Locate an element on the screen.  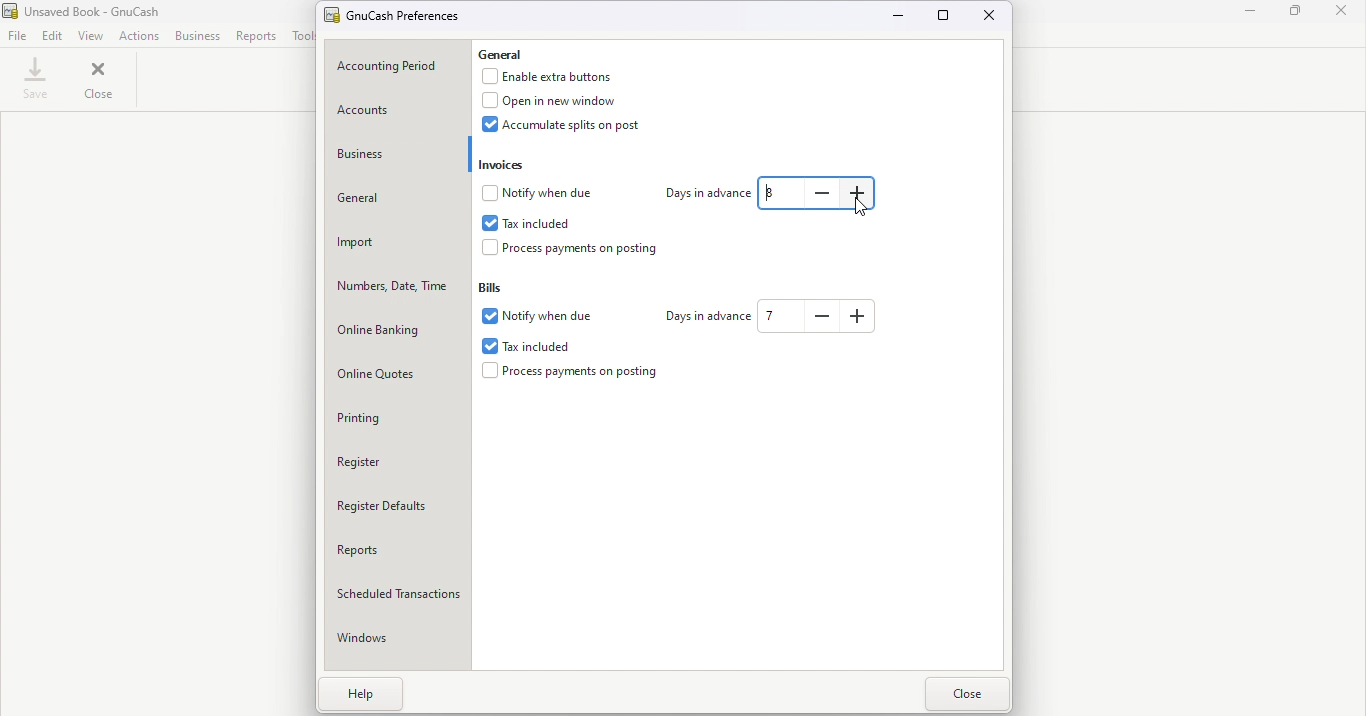
Invoices is located at coordinates (504, 164).